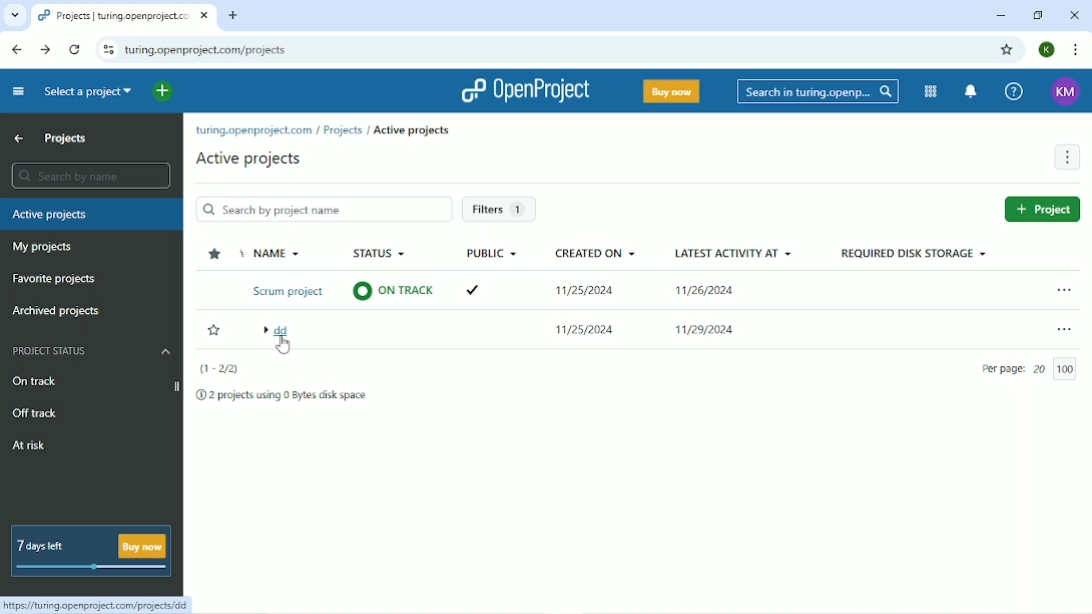  Describe the element at coordinates (583, 330) in the screenshot. I see `date` at that location.